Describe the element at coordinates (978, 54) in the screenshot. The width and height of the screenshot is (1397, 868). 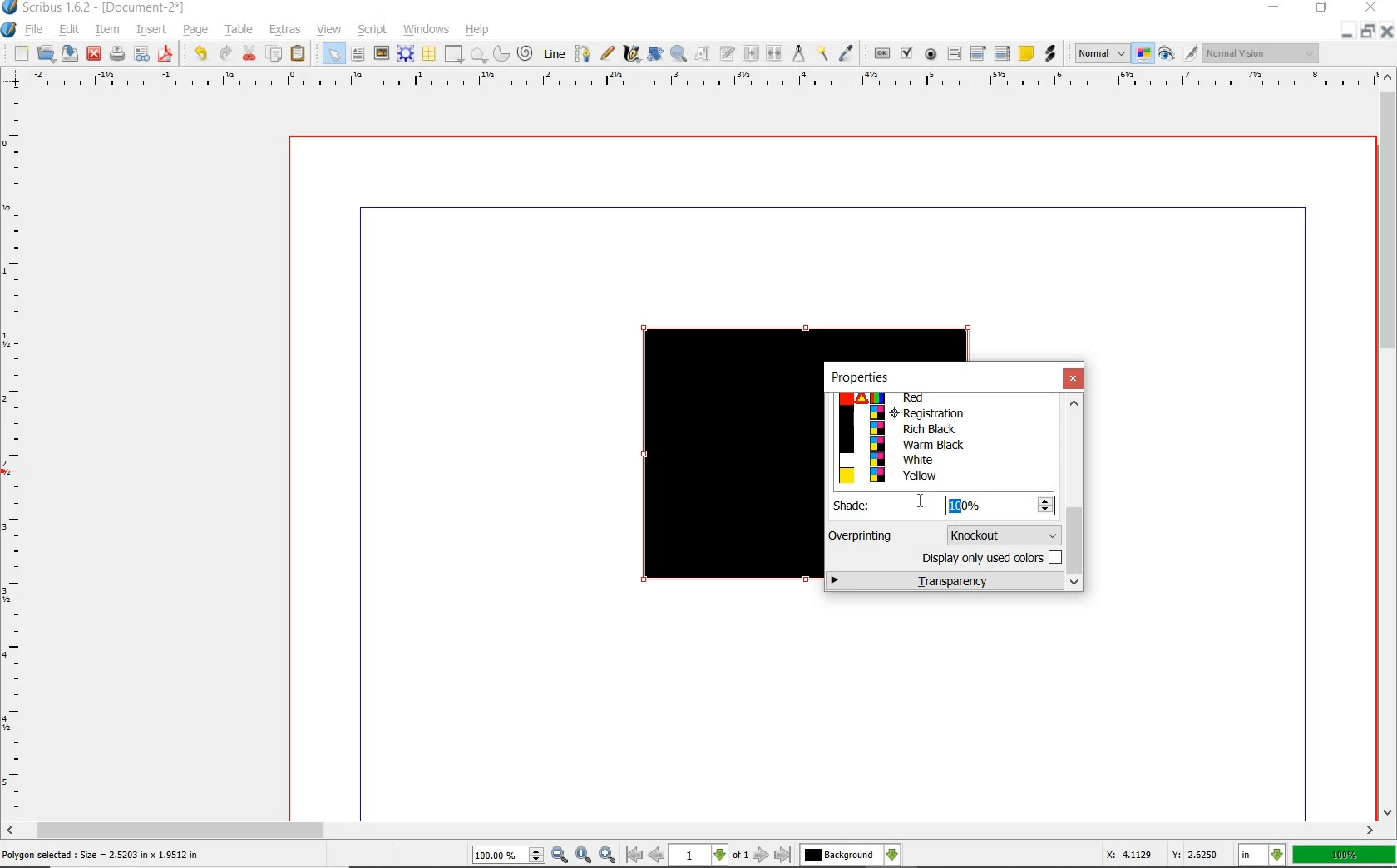
I see `pdf combo box` at that location.